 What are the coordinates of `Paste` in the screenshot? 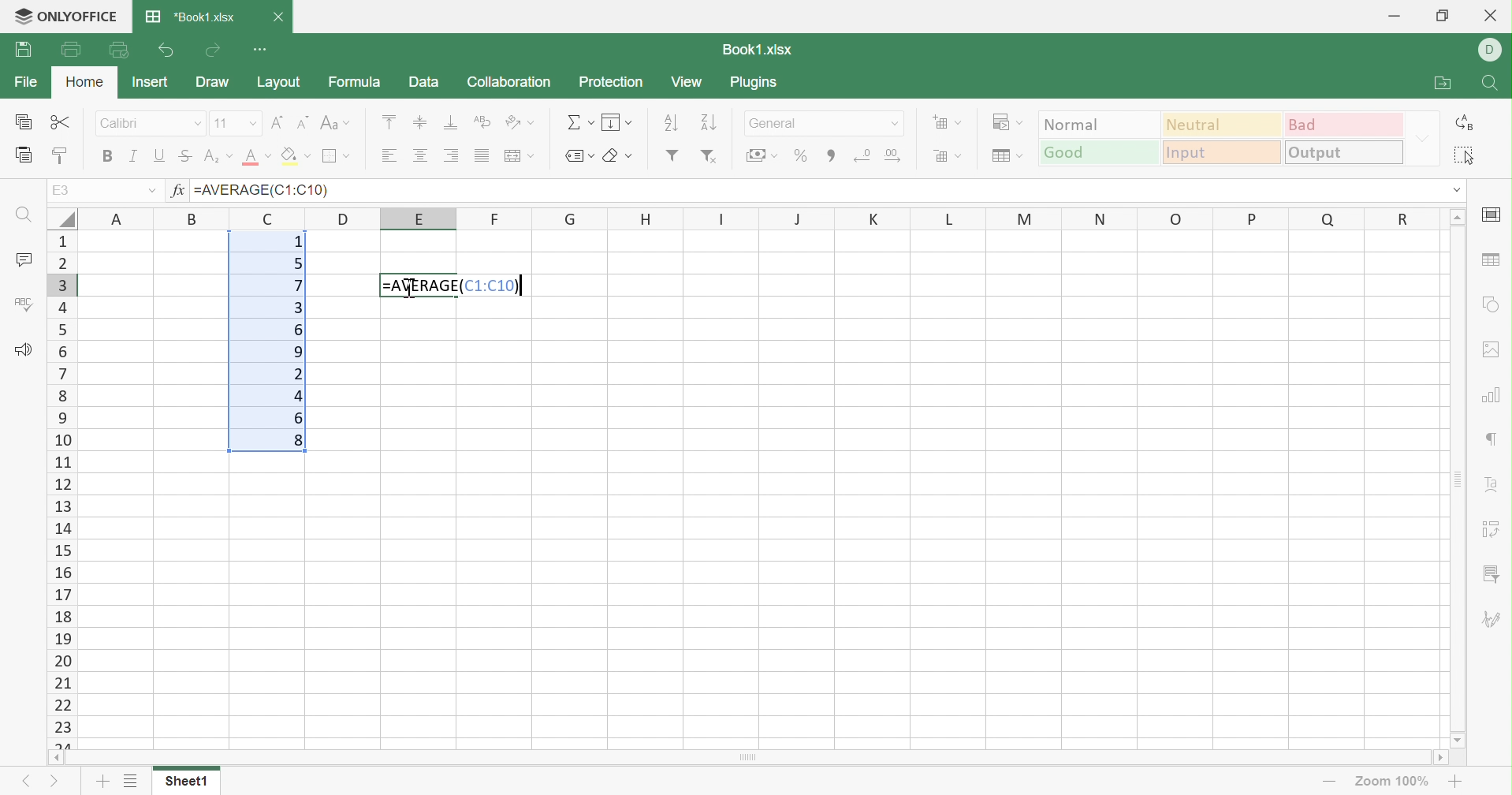 It's located at (23, 155).